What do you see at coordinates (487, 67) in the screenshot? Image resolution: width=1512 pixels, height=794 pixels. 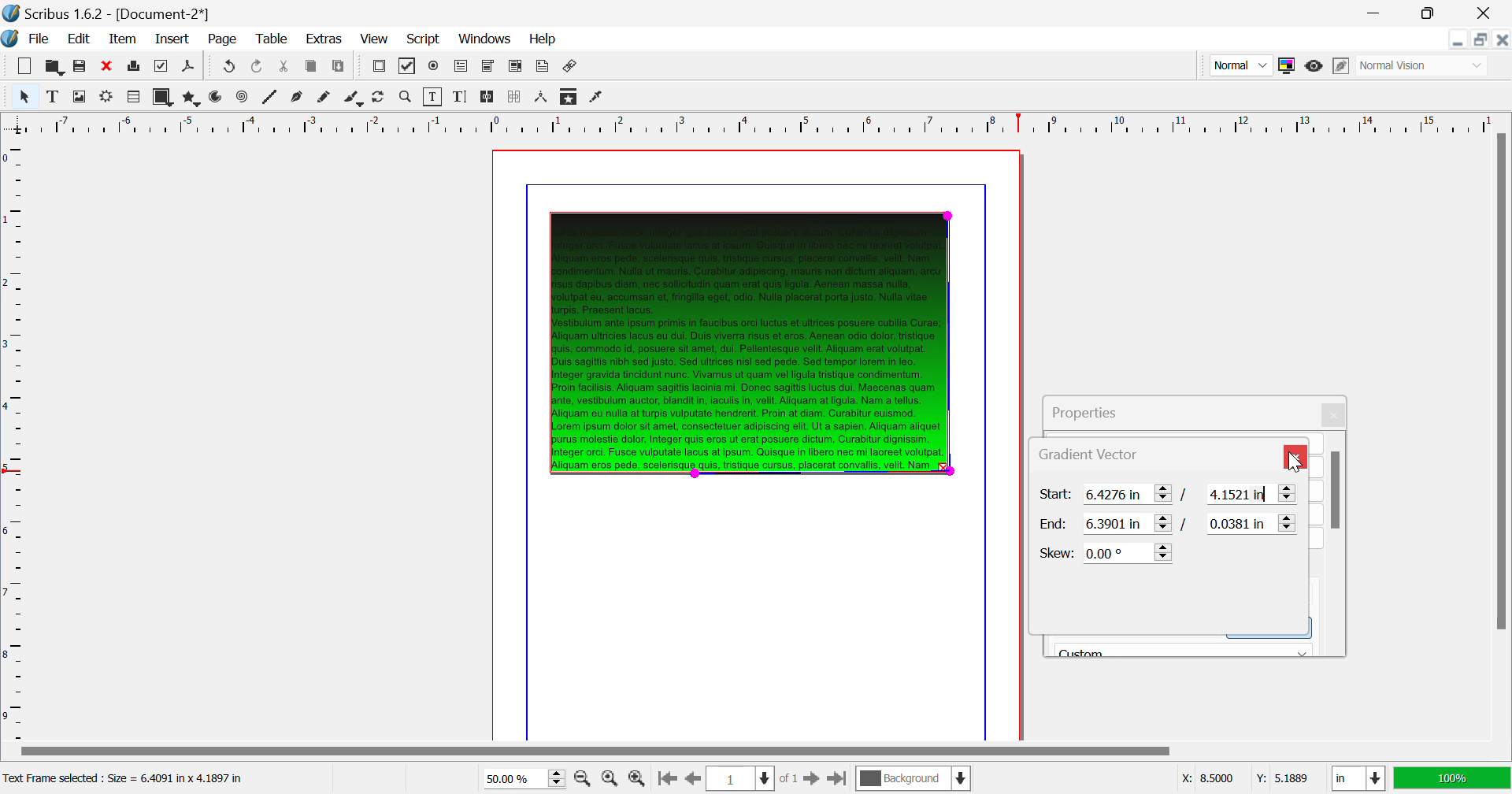 I see `Pdf Combo Box` at bounding box center [487, 67].